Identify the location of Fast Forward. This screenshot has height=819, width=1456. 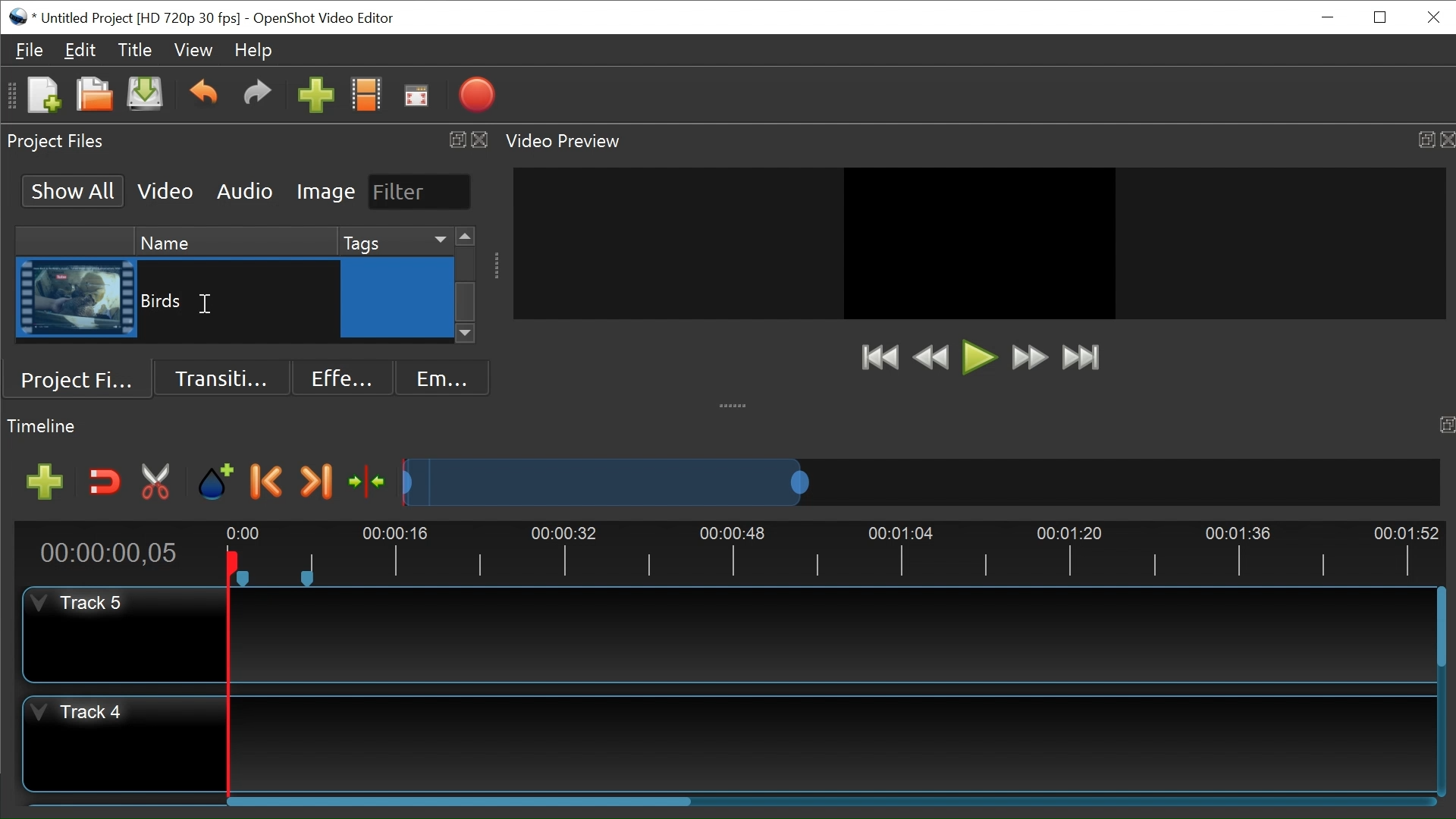
(1029, 359).